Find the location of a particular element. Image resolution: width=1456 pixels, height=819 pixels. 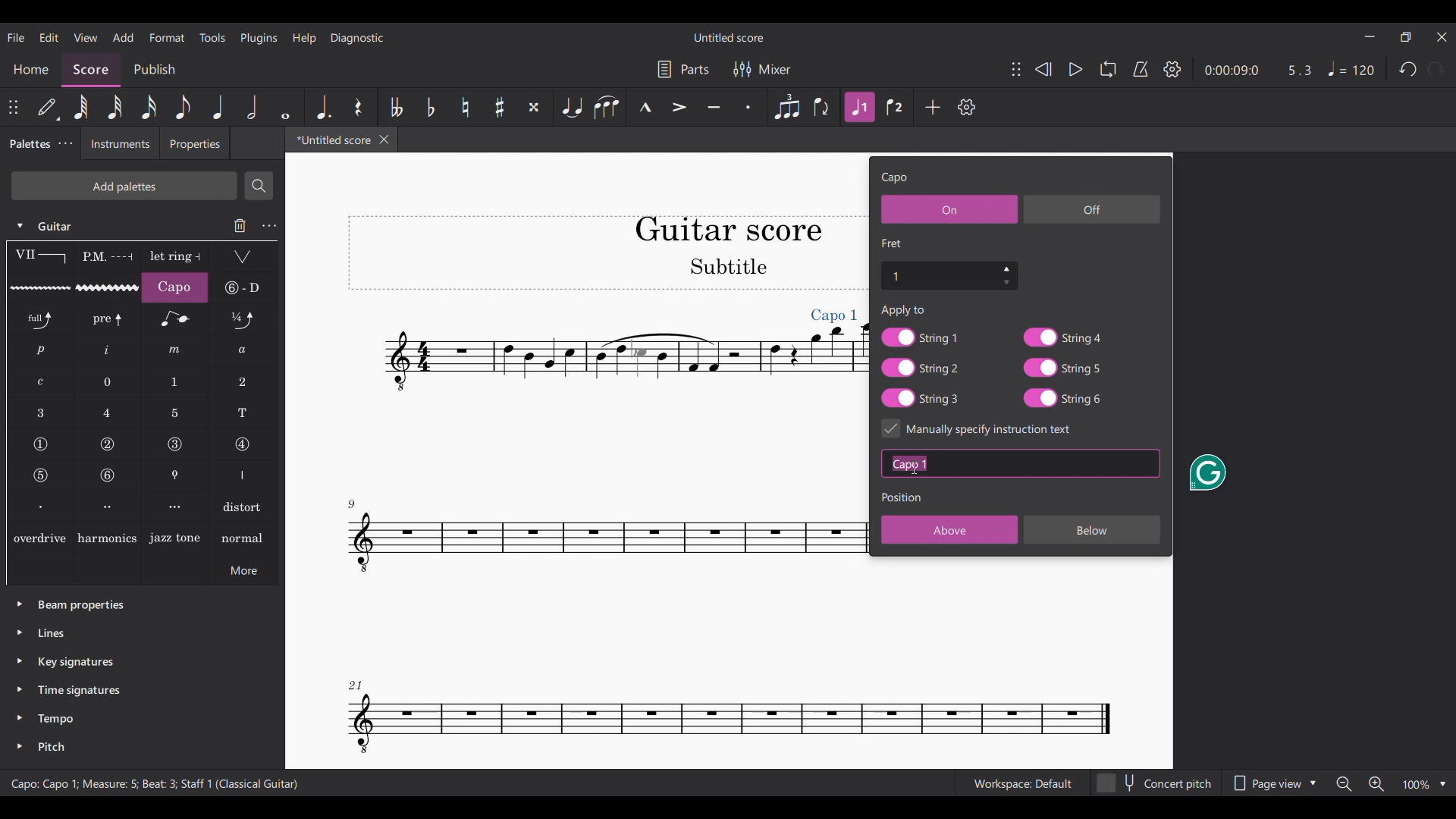

Right hand fingering thumb is located at coordinates (243, 475).